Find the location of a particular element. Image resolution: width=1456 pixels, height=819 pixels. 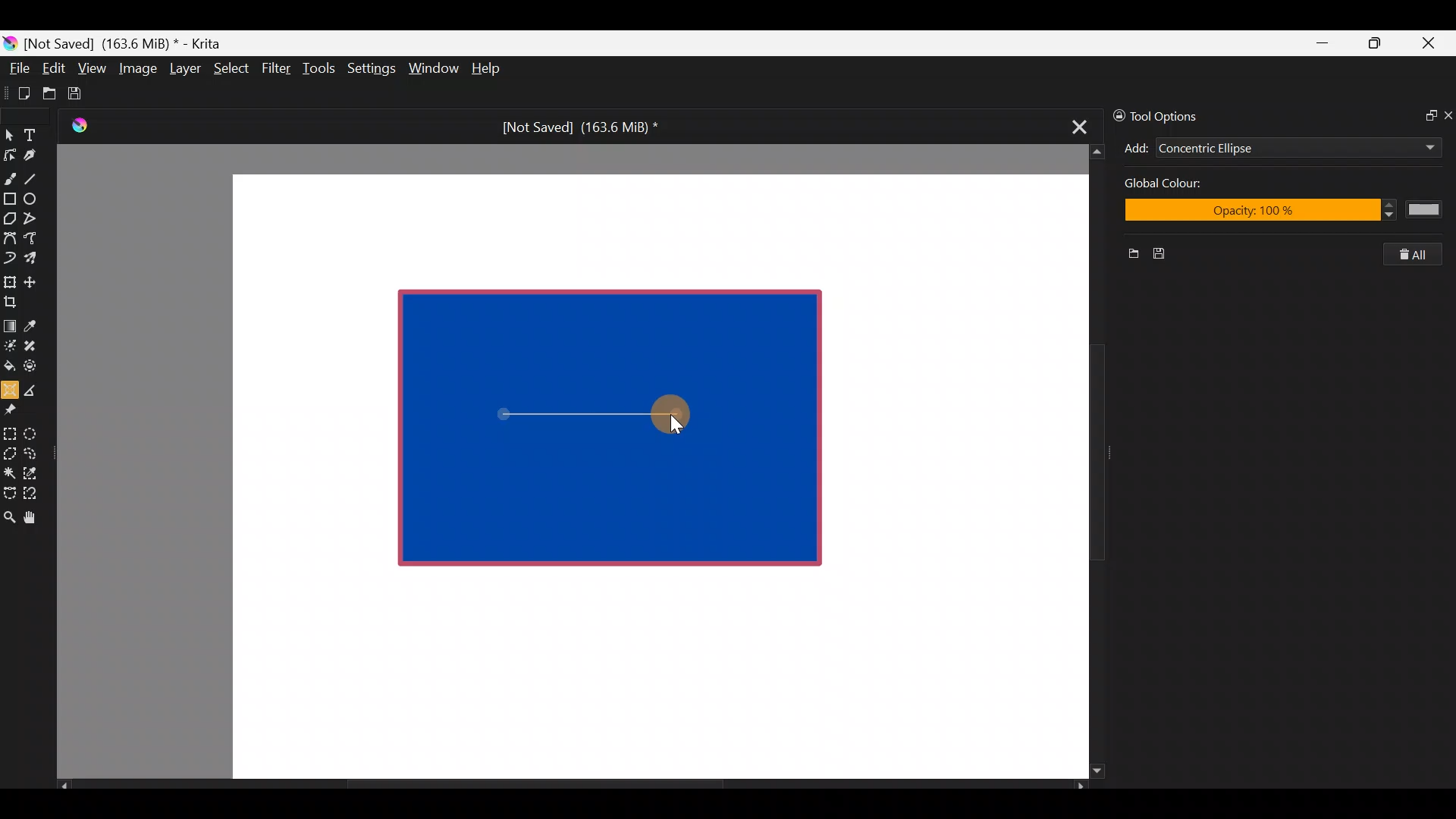

Opacity: 100% is located at coordinates (1279, 212).